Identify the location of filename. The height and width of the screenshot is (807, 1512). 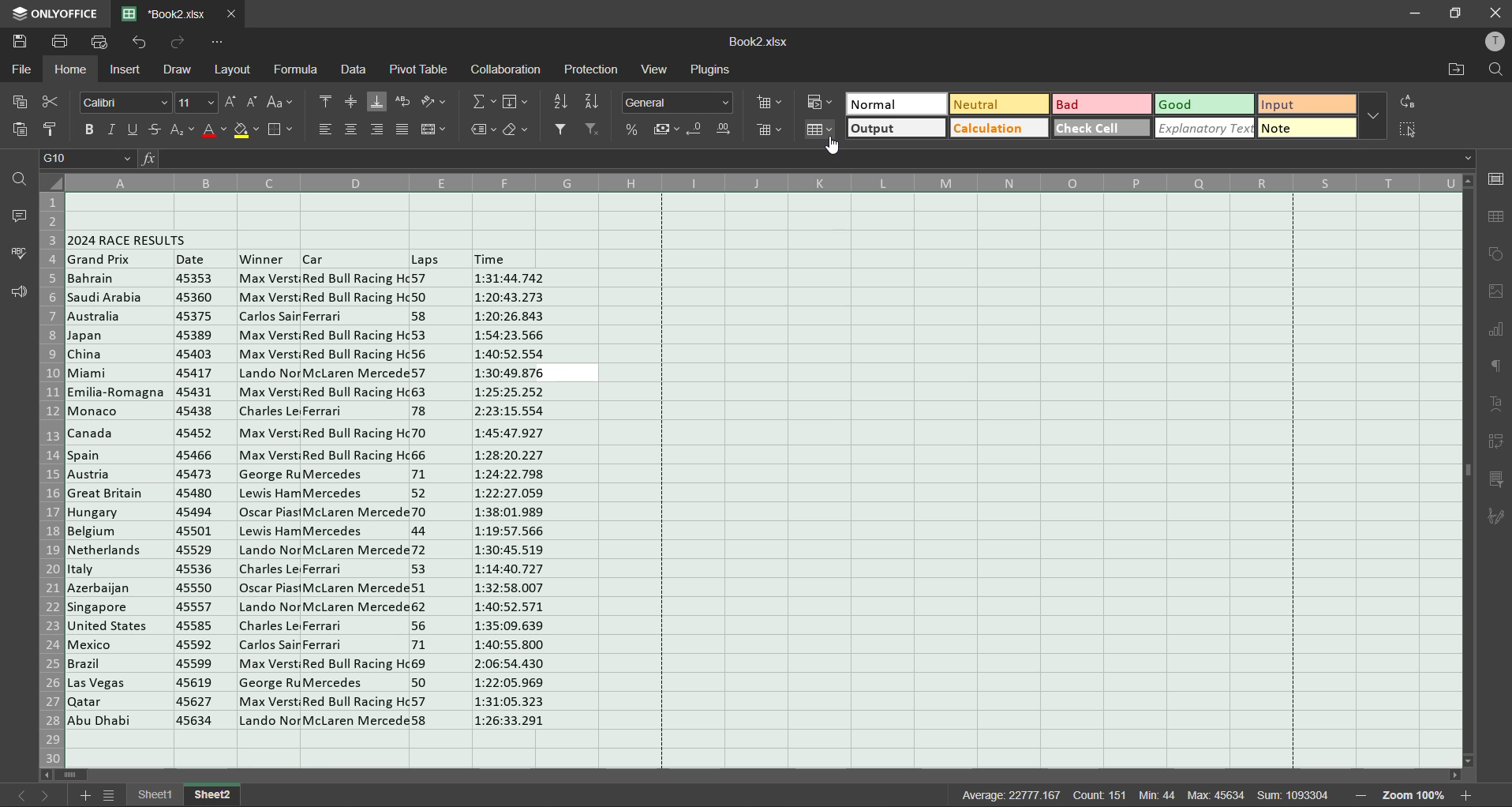
(755, 42).